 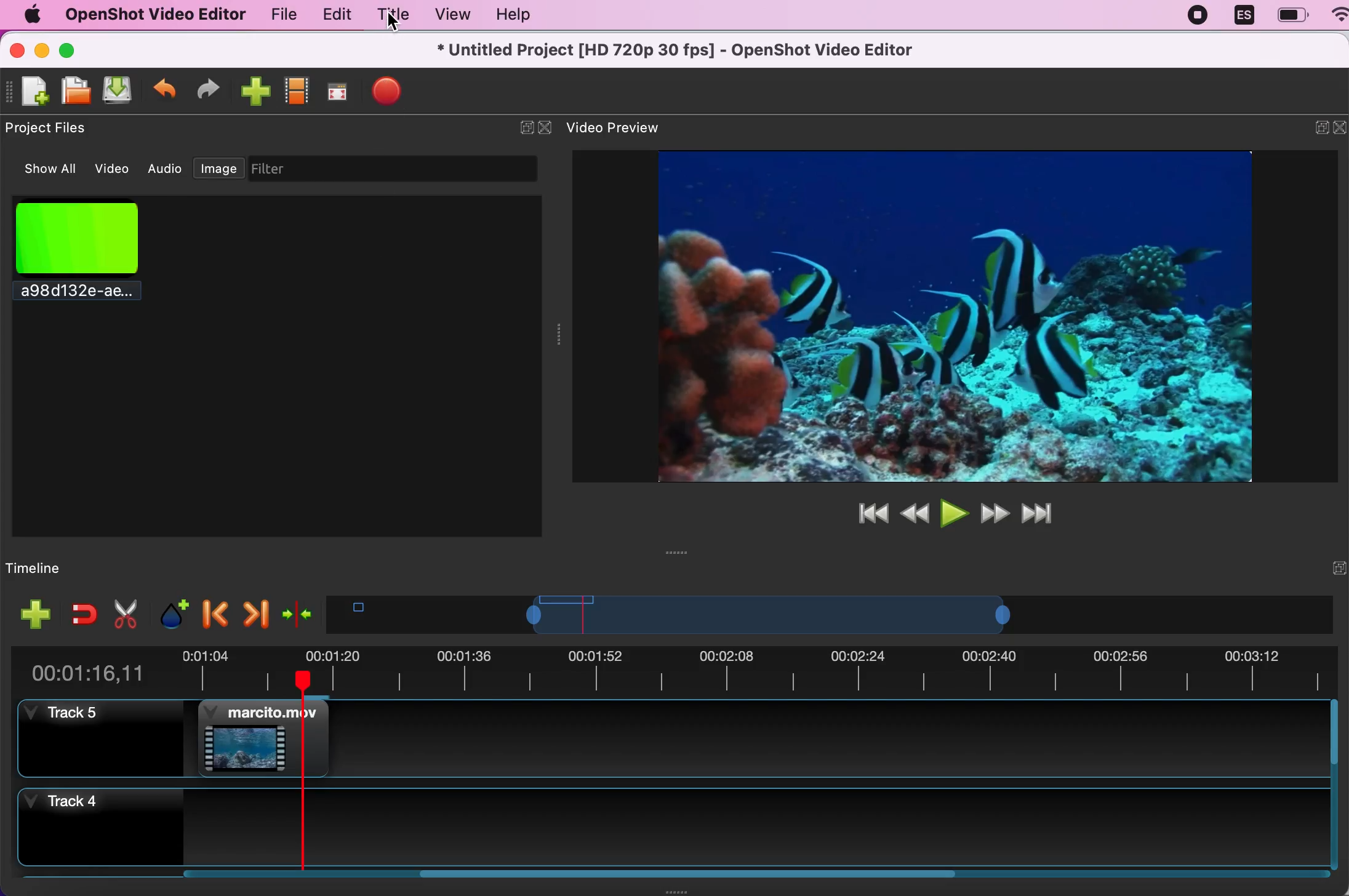 What do you see at coordinates (1199, 18) in the screenshot?
I see `recording stopped` at bounding box center [1199, 18].